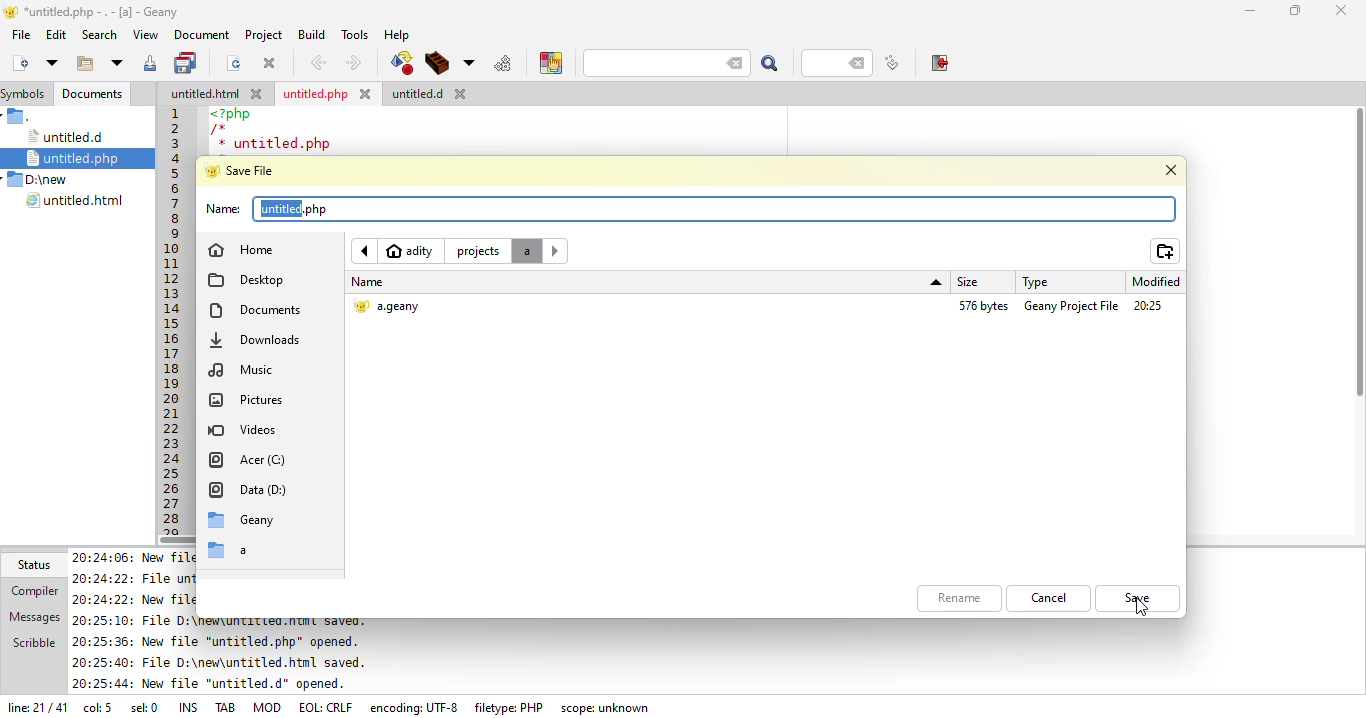 The image size is (1366, 718). What do you see at coordinates (247, 170) in the screenshot?
I see `save` at bounding box center [247, 170].